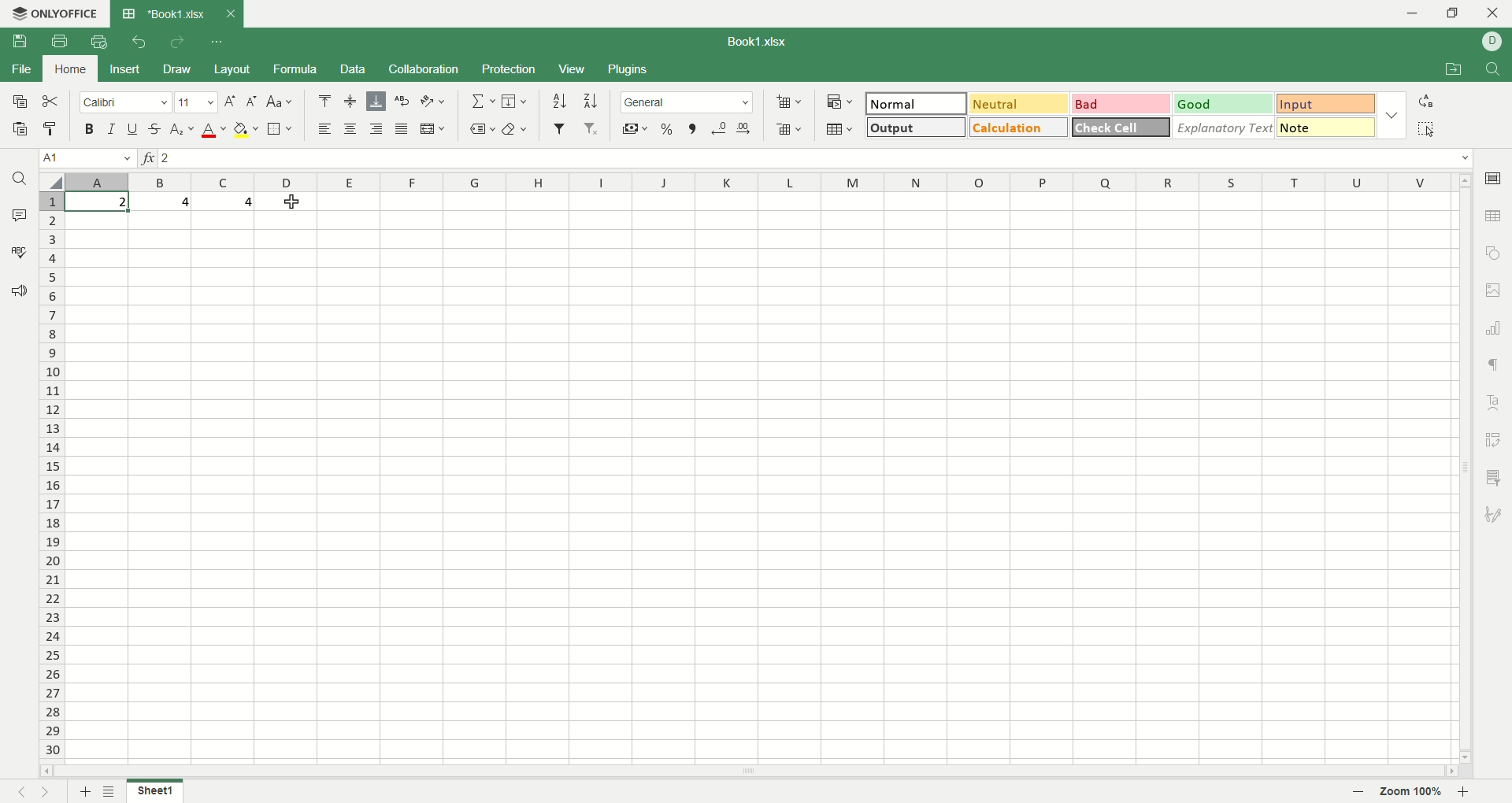 This screenshot has height=803, width=1512. Describe the element at coordinates (121, 70) in the screenshot. I see `insert` at that location.